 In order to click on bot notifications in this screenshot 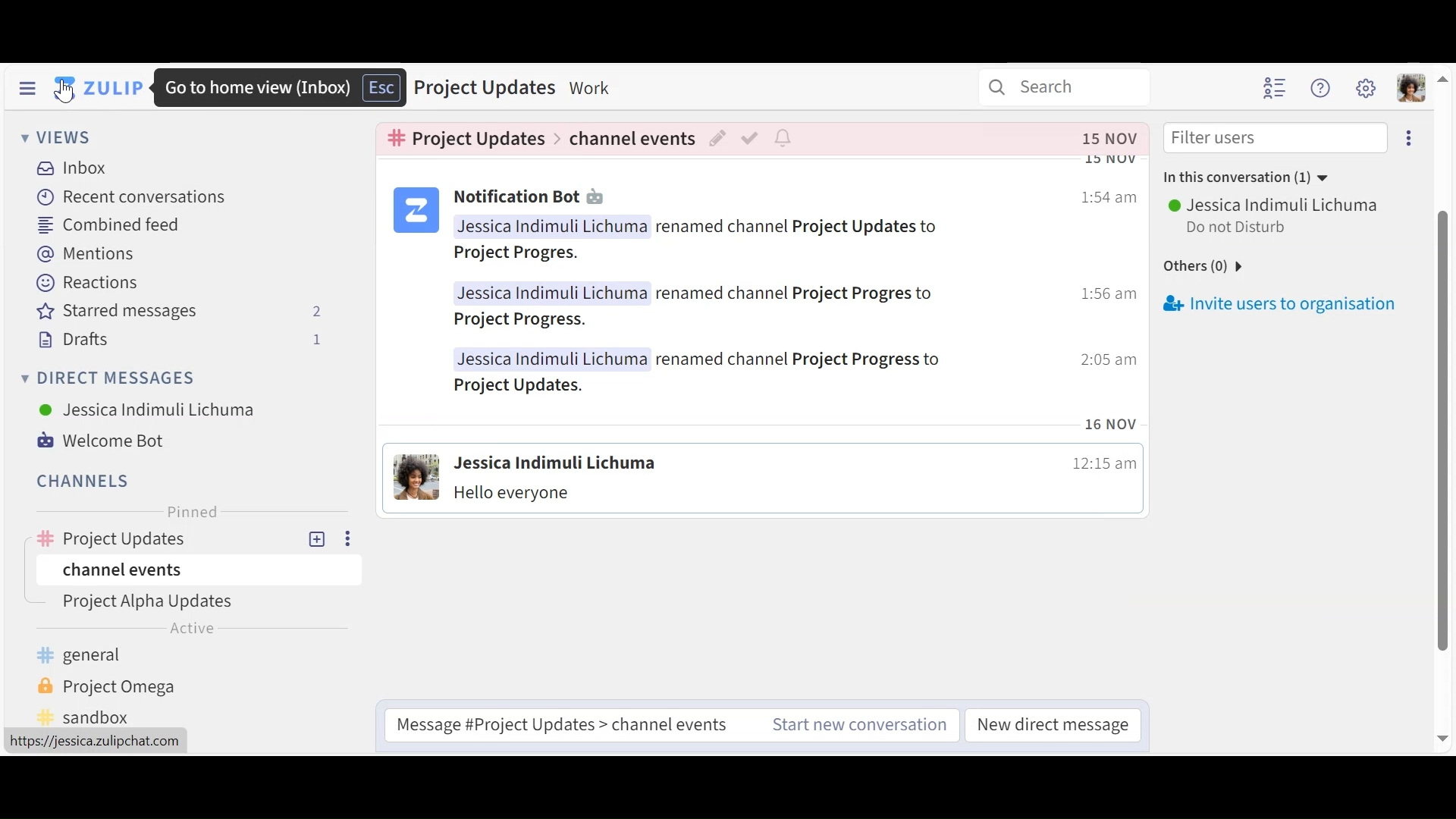, I will do `click(798, 292)`.